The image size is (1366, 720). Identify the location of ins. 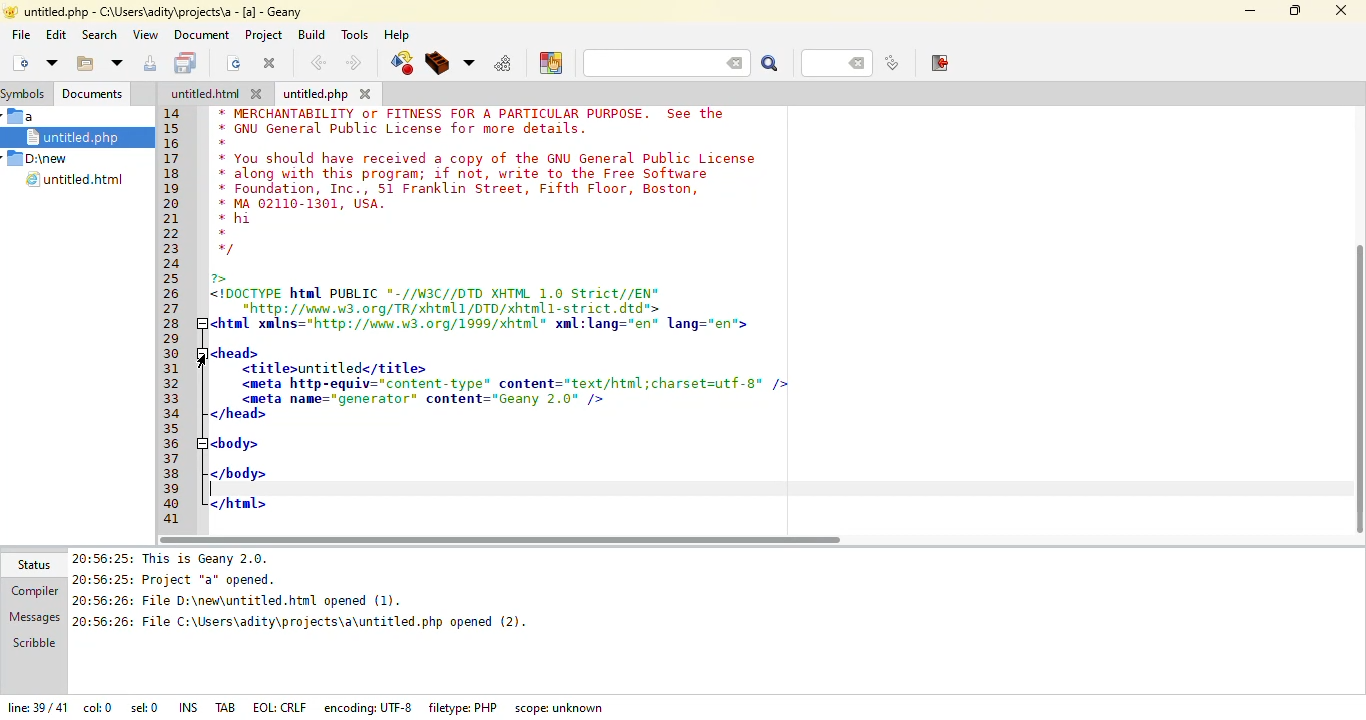
(186, 709).